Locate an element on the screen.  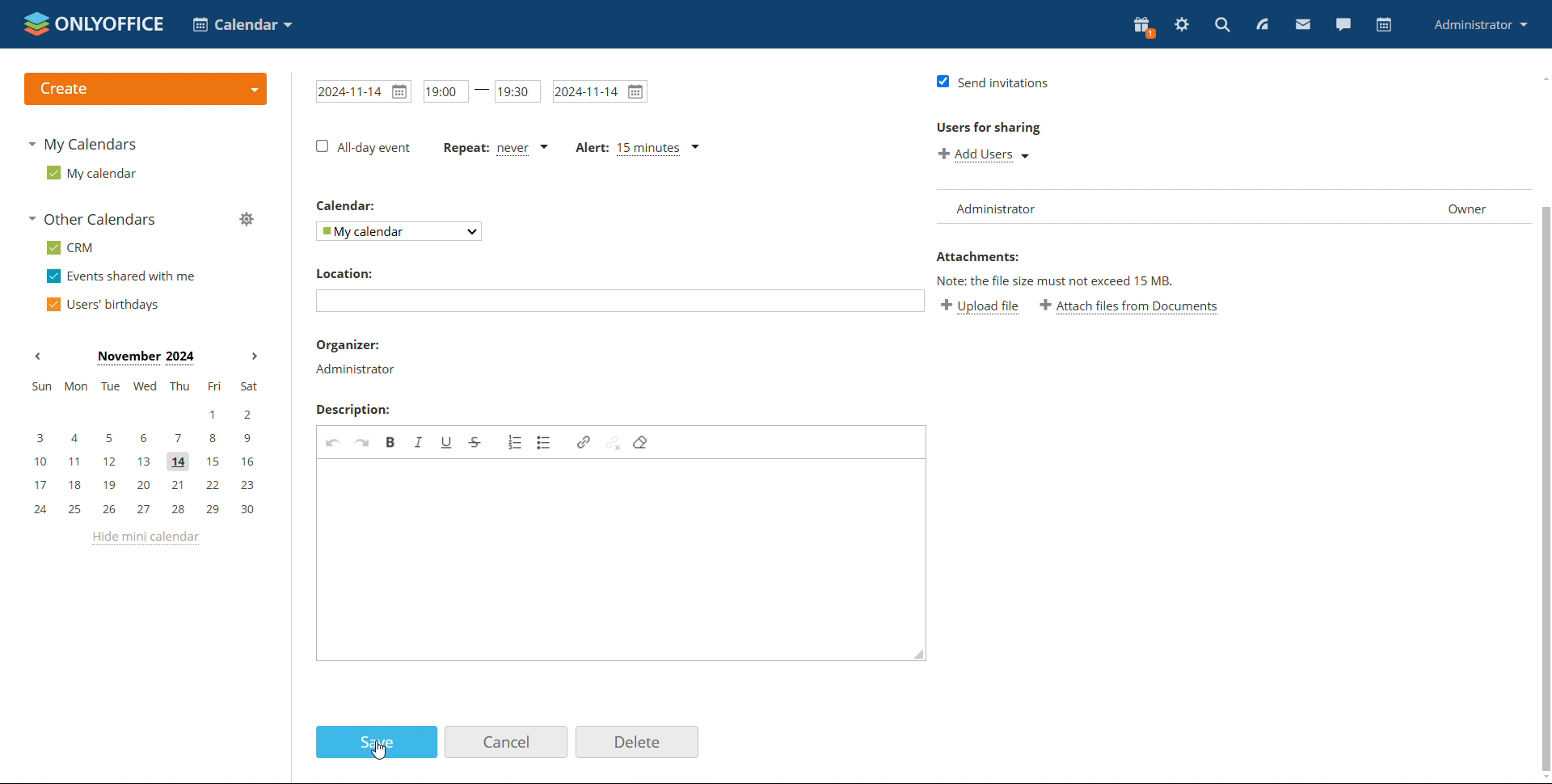
bold is located at coordinates (389, 443).